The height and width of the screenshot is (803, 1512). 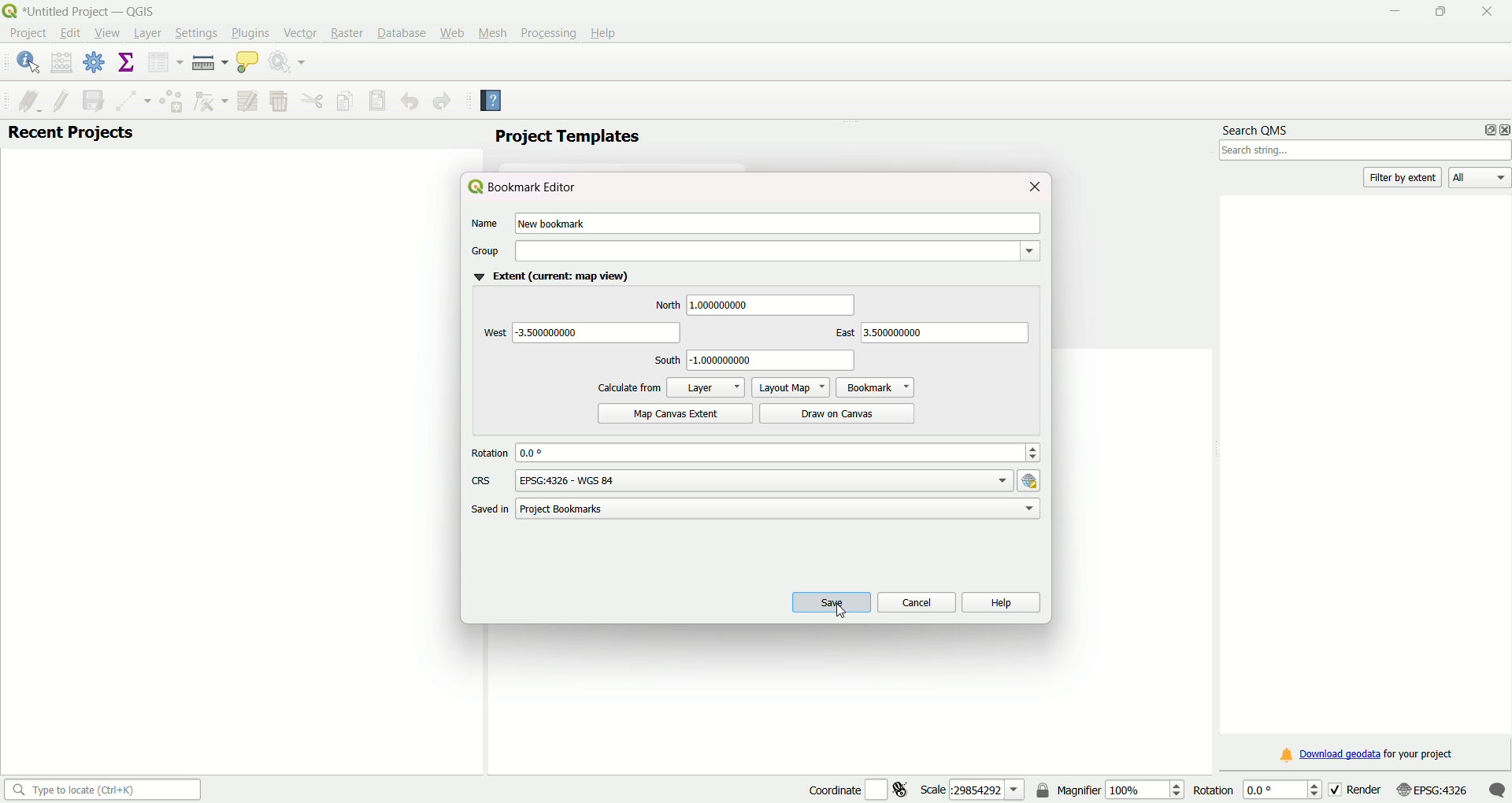 What do you see at coordinates (91, 99) in the screenshot?
I see `save layer edit` at bounding box center [91, 99].